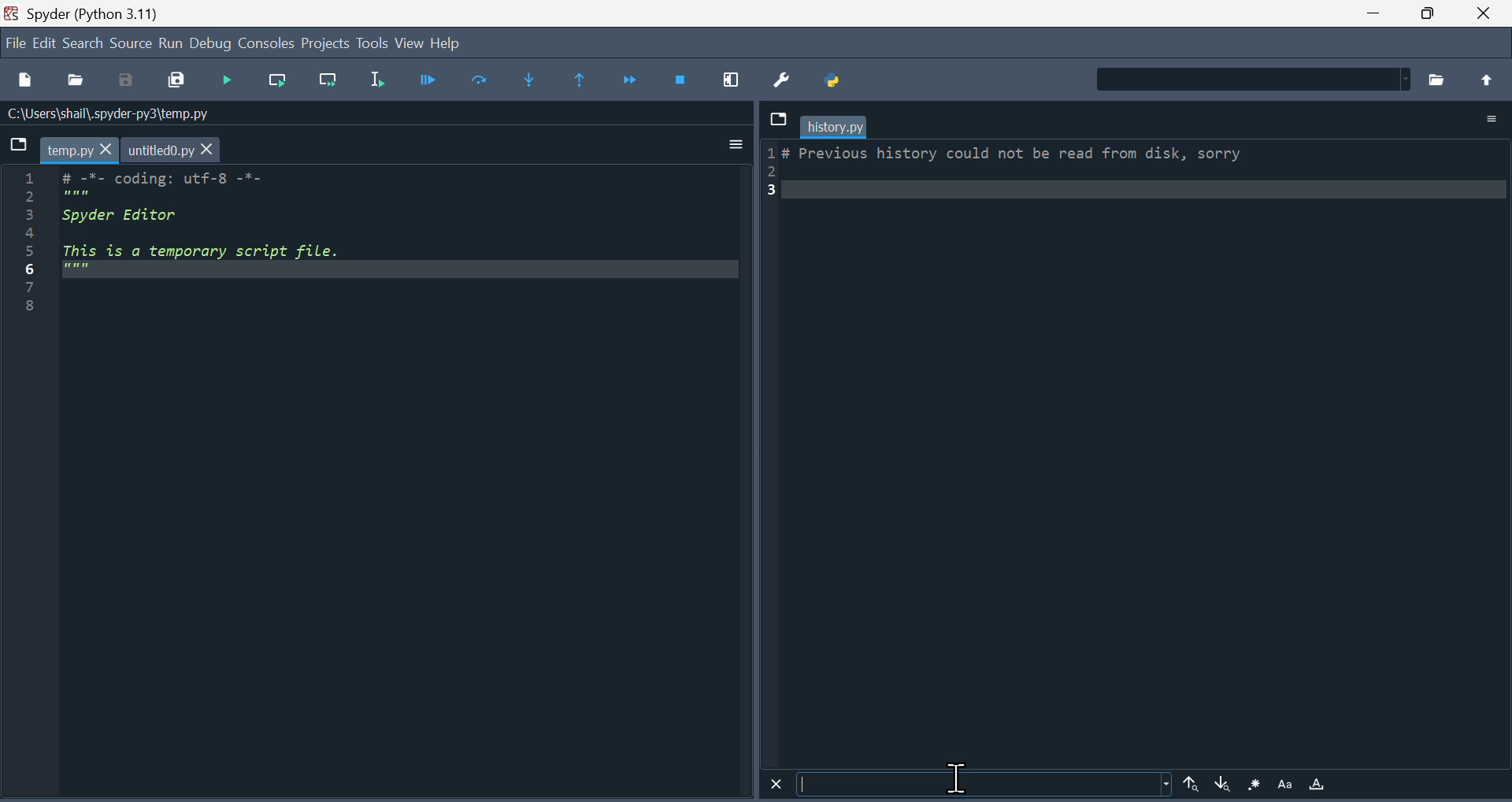 The image size is (1512, 802). I want to click on close, so click(1484, 14).